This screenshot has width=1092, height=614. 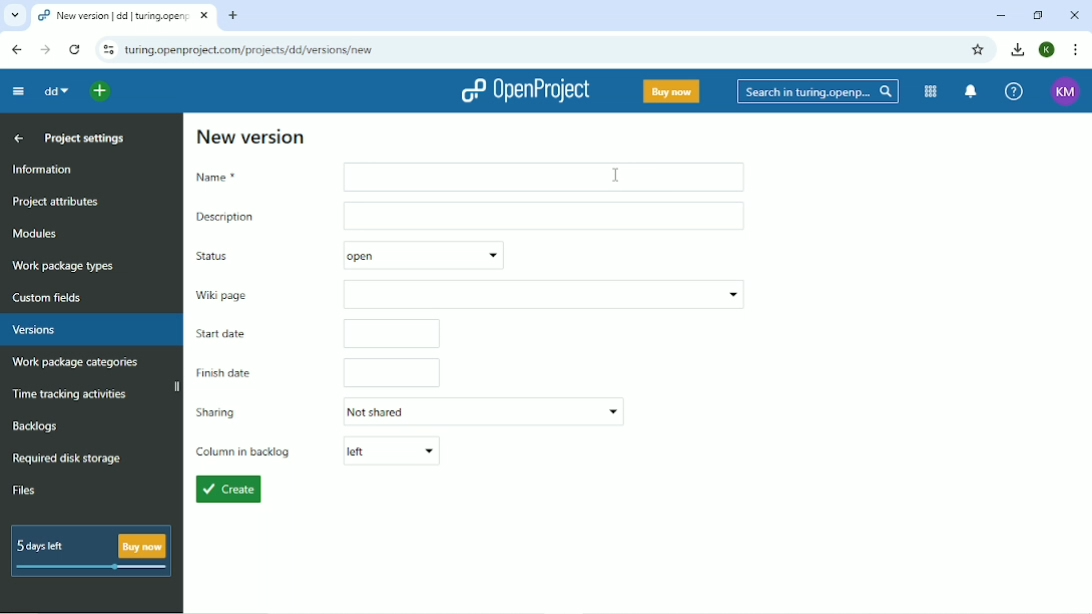 I want to click on Modules, so click(x=36, y=233).